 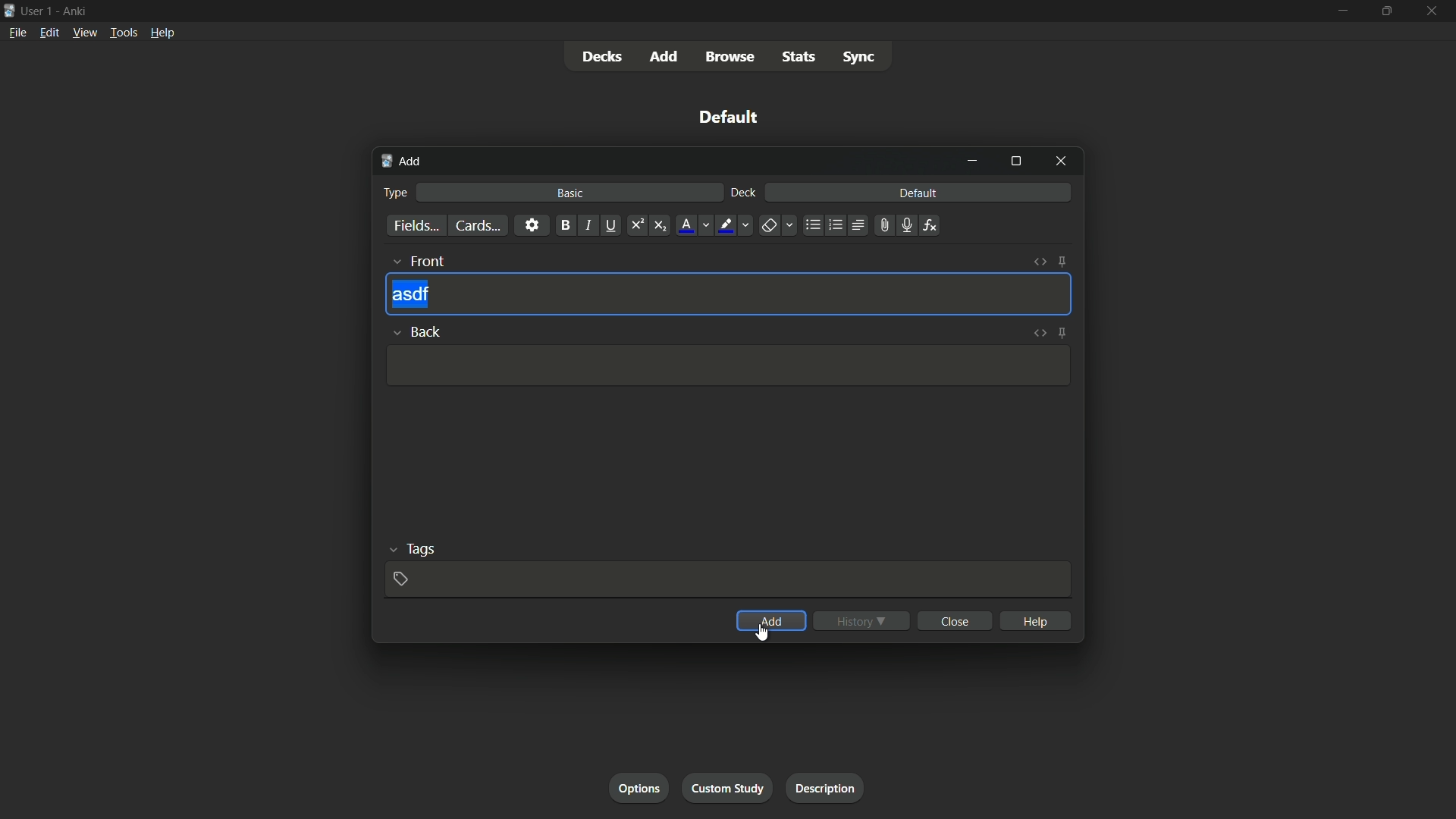 What do you see at coordinates (397, 191) in the screenshot?
I see `type` at bounding box center [397, 191].